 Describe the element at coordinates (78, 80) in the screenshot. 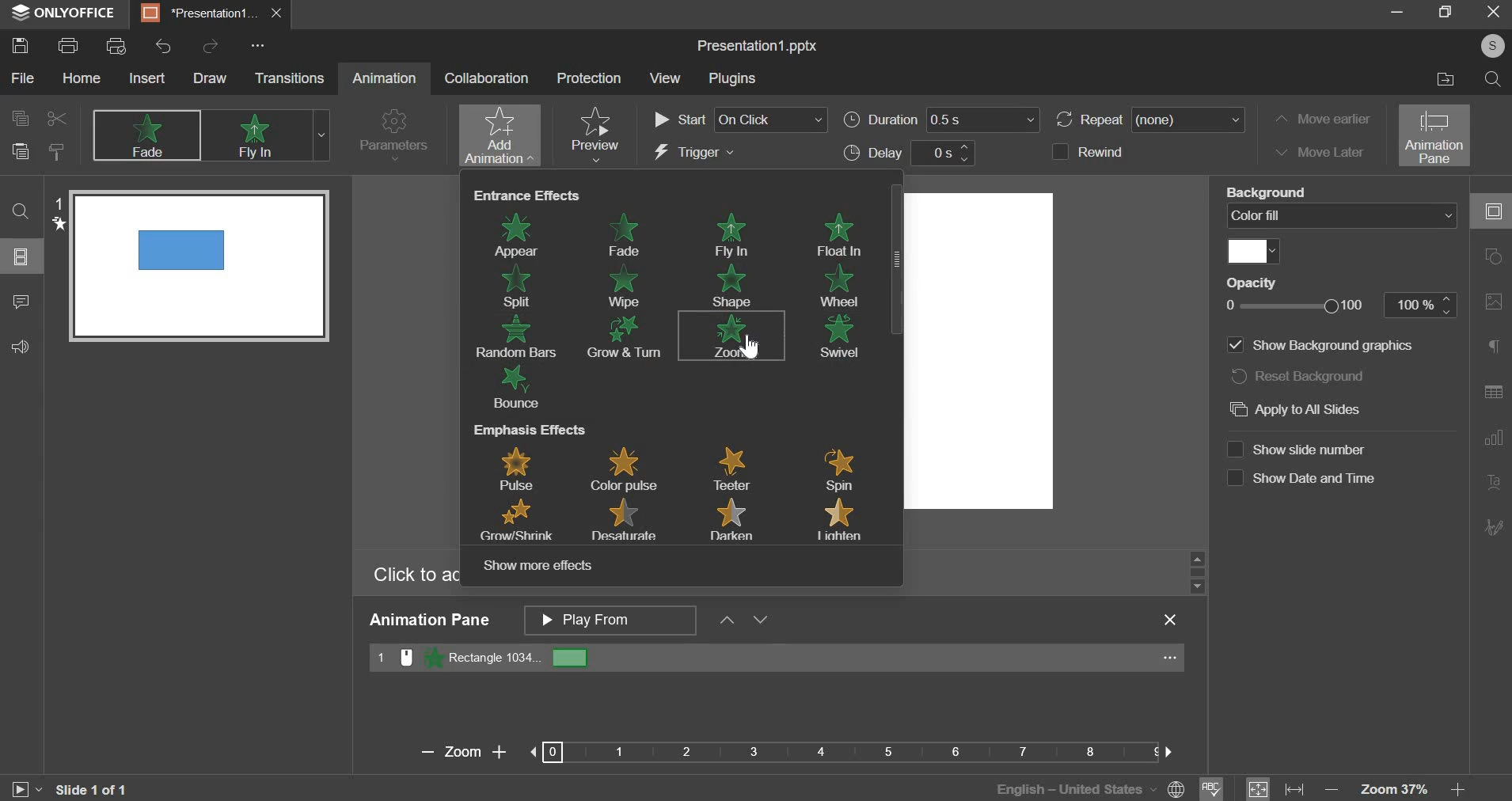

I see `home` at that location.